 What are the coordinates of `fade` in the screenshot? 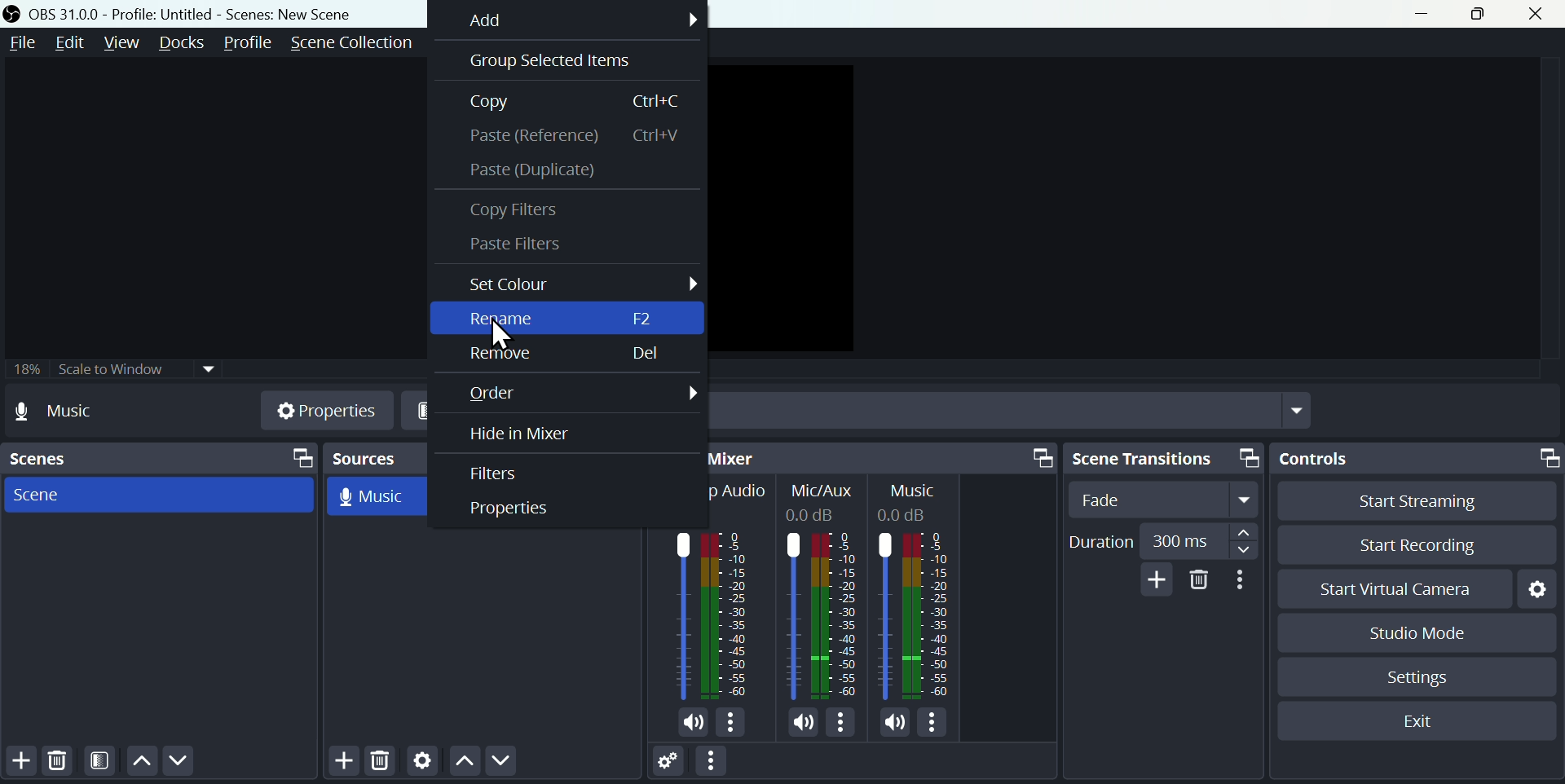 It's located at (1170, 500).